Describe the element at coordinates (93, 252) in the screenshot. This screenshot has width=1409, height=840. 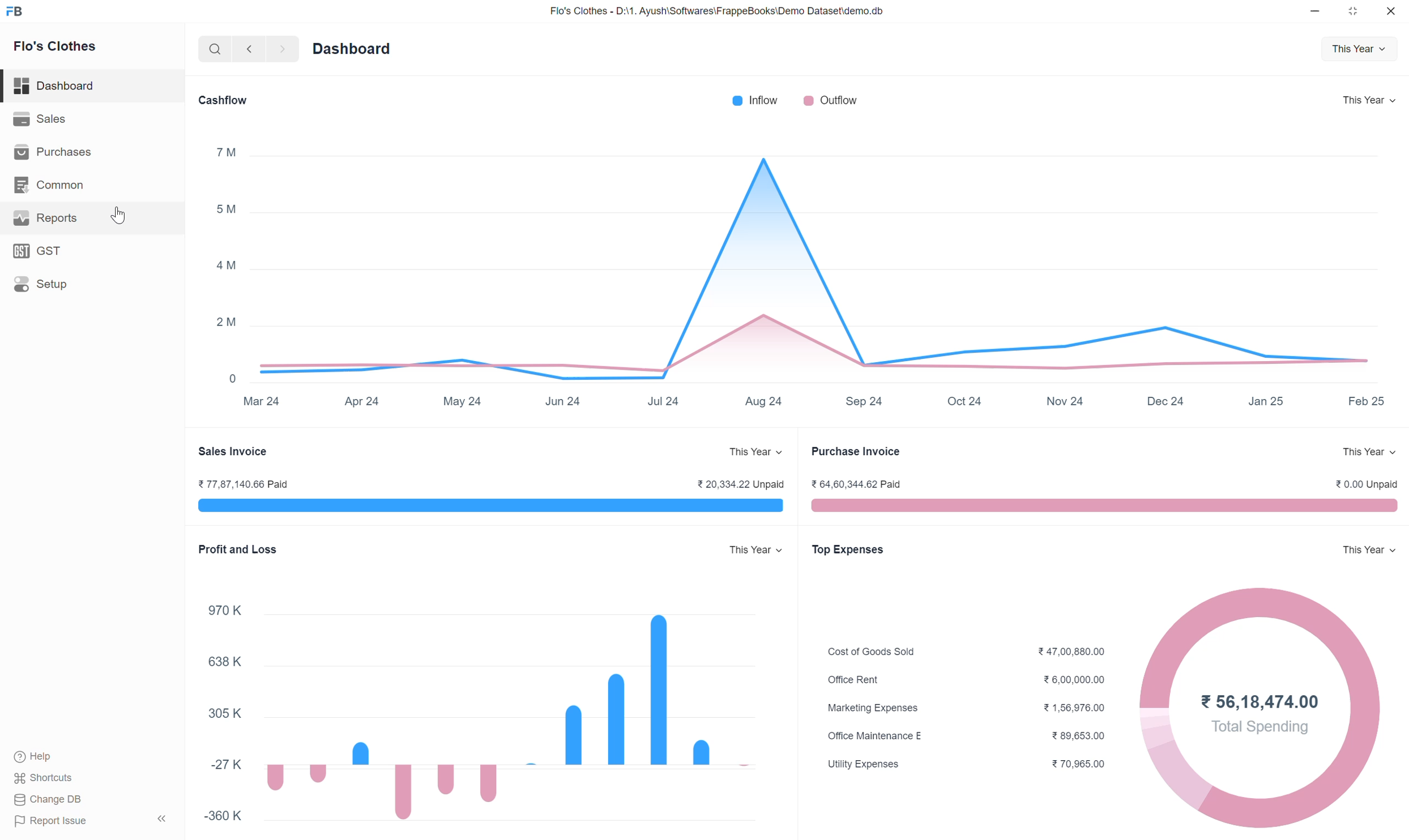
I see `GST` at that location.